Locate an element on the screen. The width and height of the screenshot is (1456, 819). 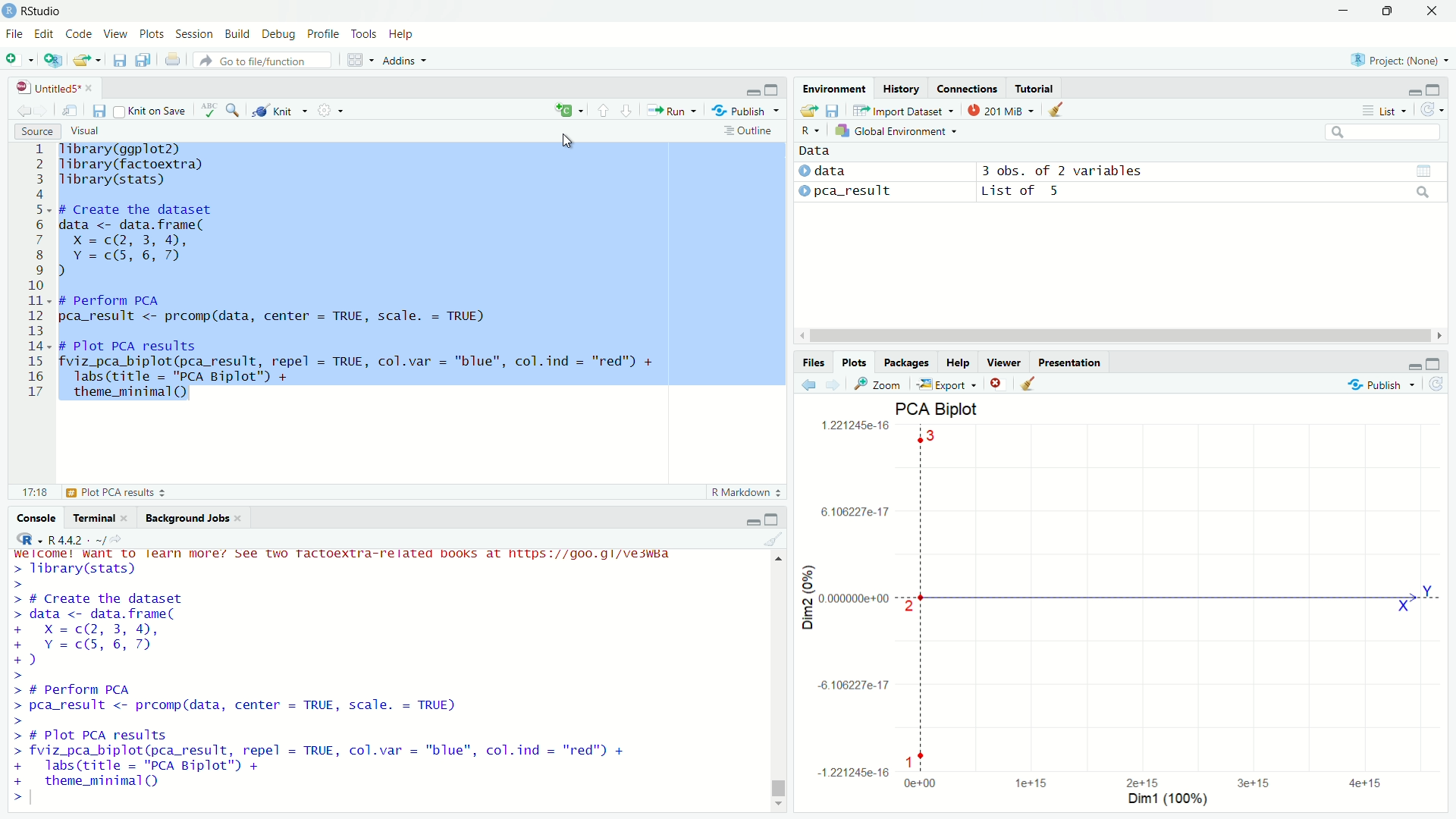
Help is located at coordinates (403, 34).